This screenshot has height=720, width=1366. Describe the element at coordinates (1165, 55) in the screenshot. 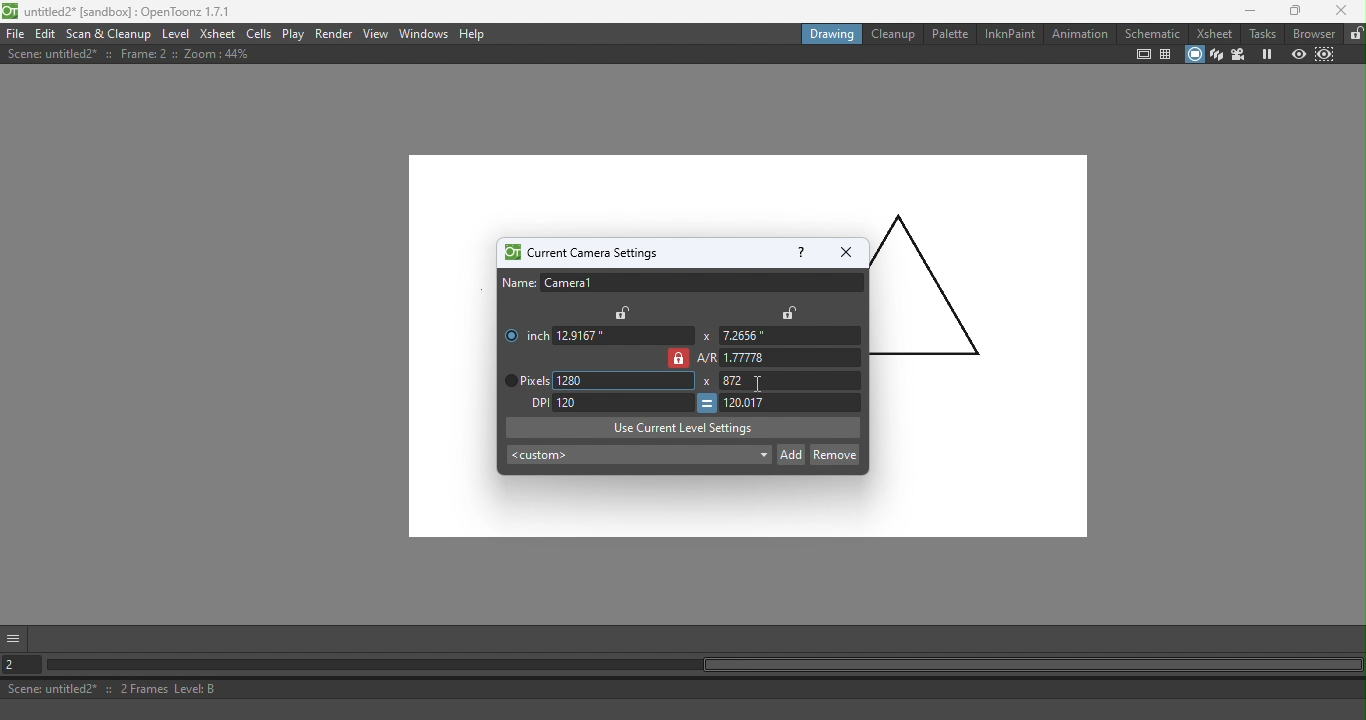

I see `Field guide` at that location.